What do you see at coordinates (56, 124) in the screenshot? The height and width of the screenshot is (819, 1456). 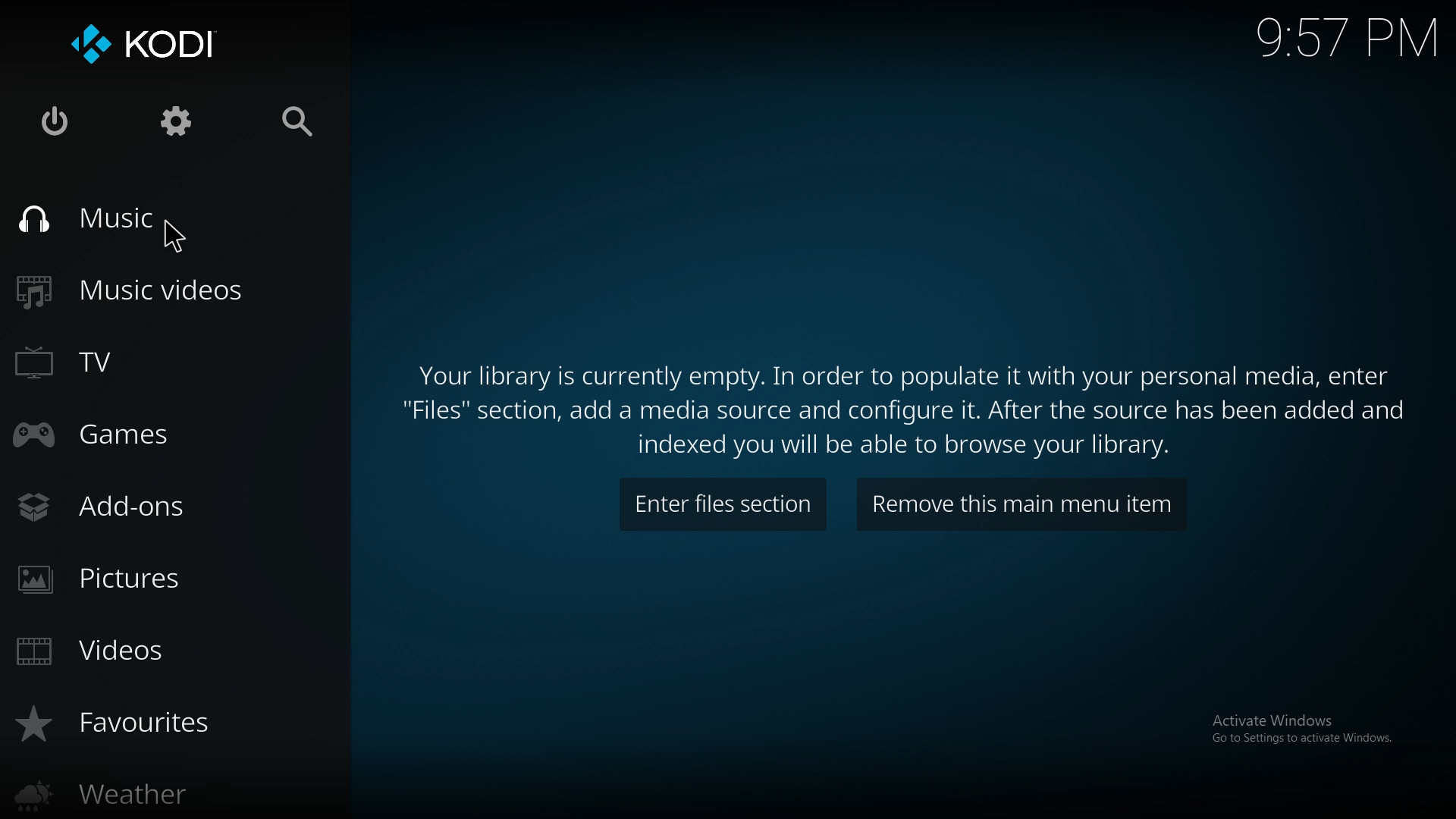 I see `close` at bounding box center [56, 124].